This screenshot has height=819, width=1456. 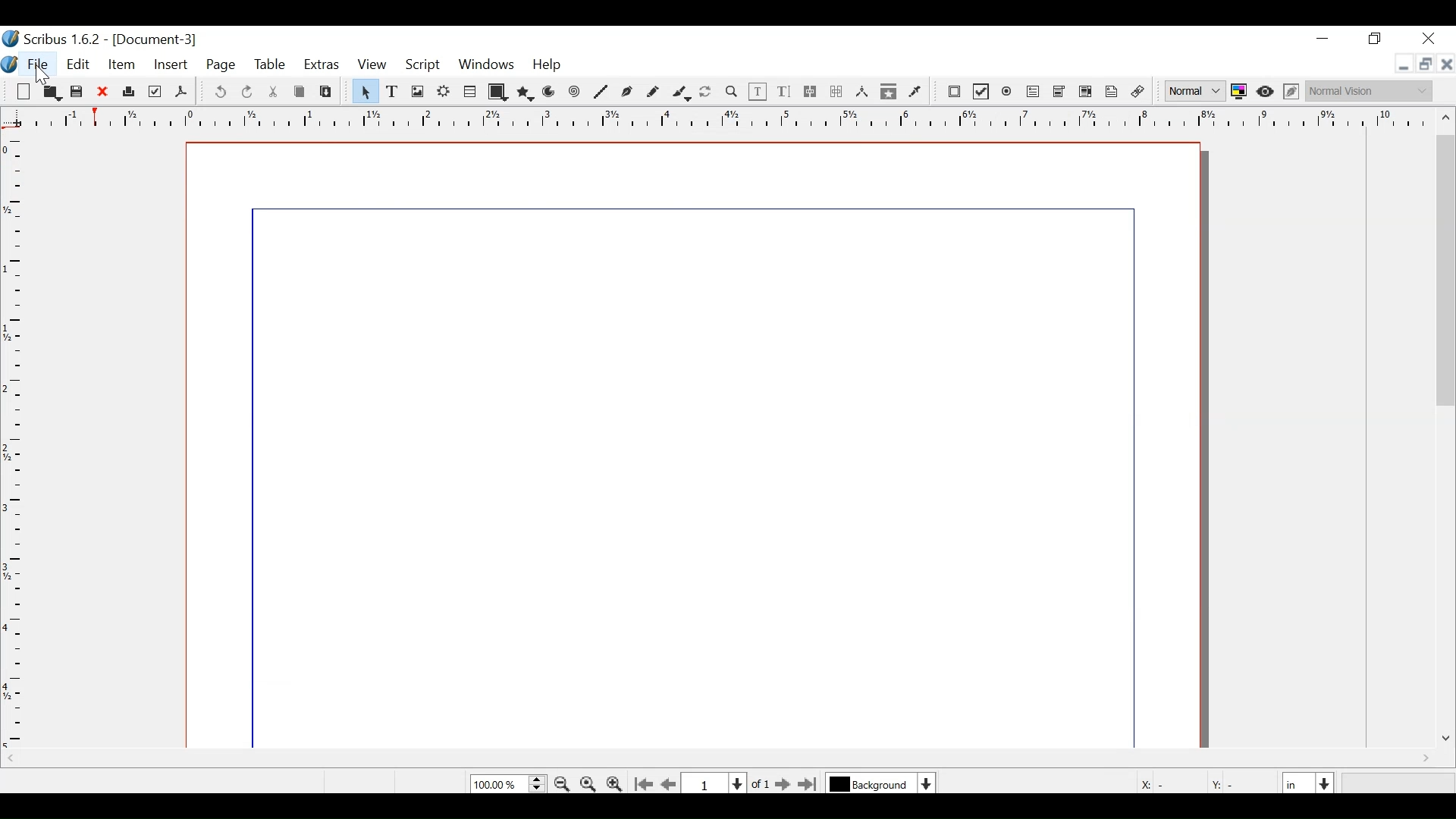 I want to click on Close, so click(x=1446, y=64).